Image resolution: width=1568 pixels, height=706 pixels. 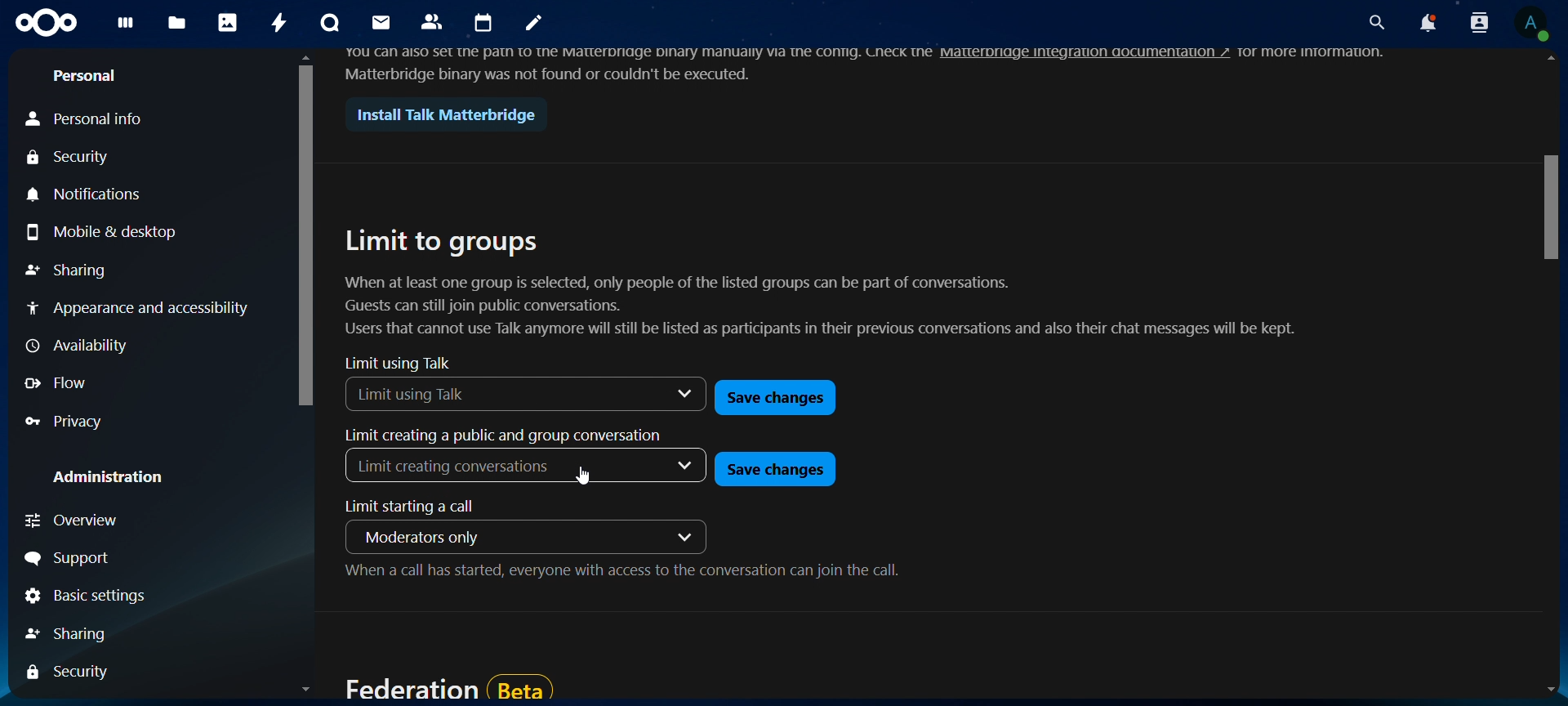 I want to click on mail, so click(x=382, y=25).